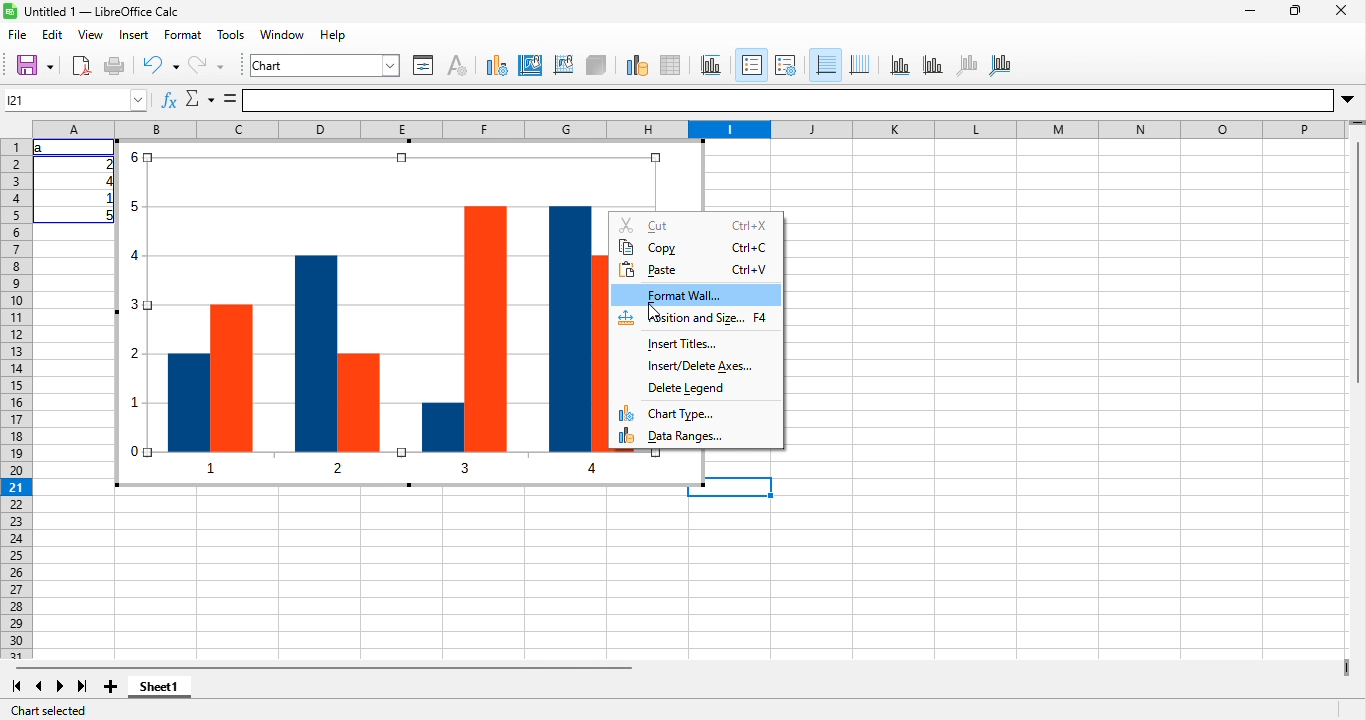 The image size is (1366, 720). Describe the element at coordinates (169, 99) in the screenshot. I see `fx` at that location.